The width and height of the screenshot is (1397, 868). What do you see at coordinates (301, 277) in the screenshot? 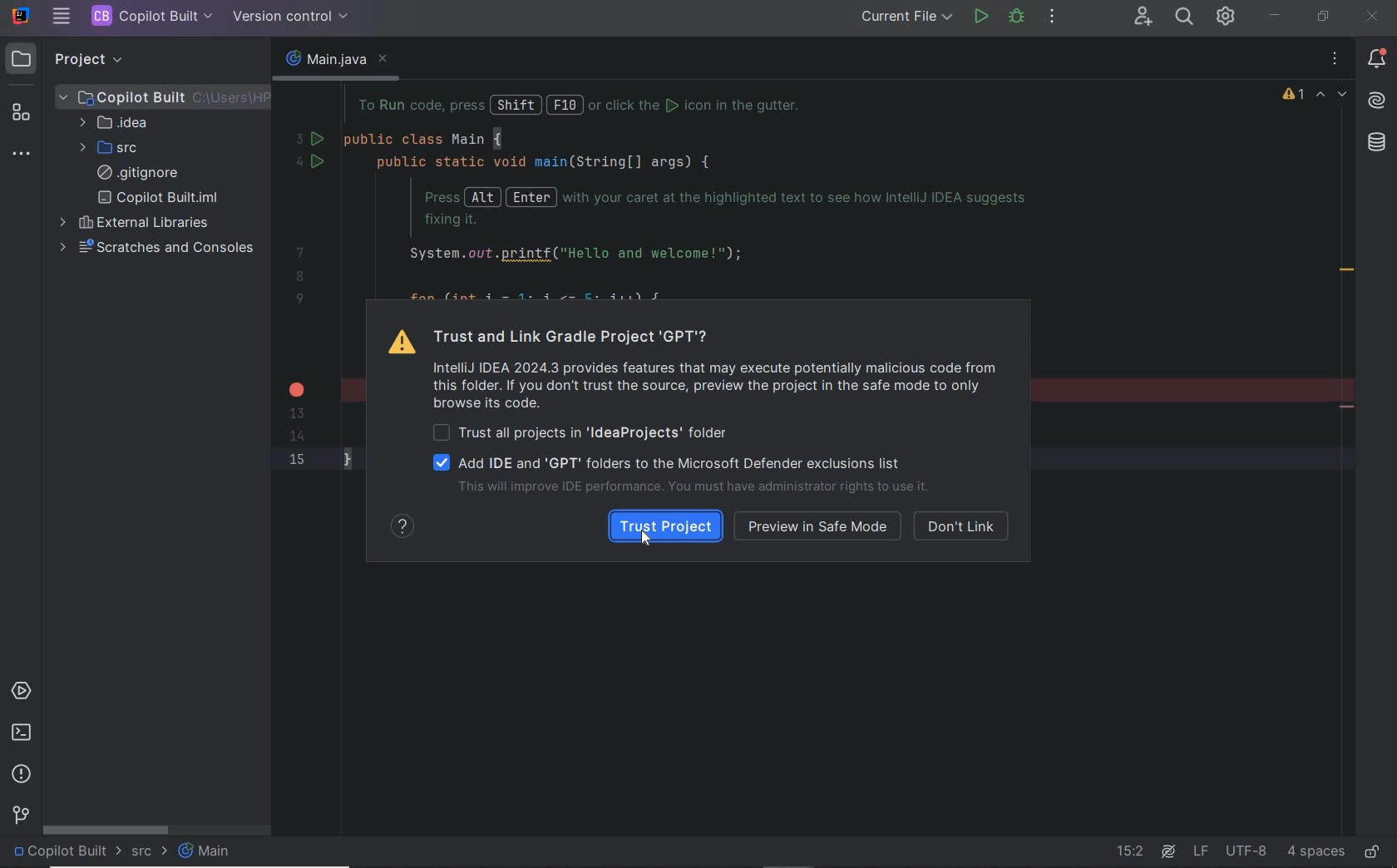
I see `8` at bounding box center [301, 277].